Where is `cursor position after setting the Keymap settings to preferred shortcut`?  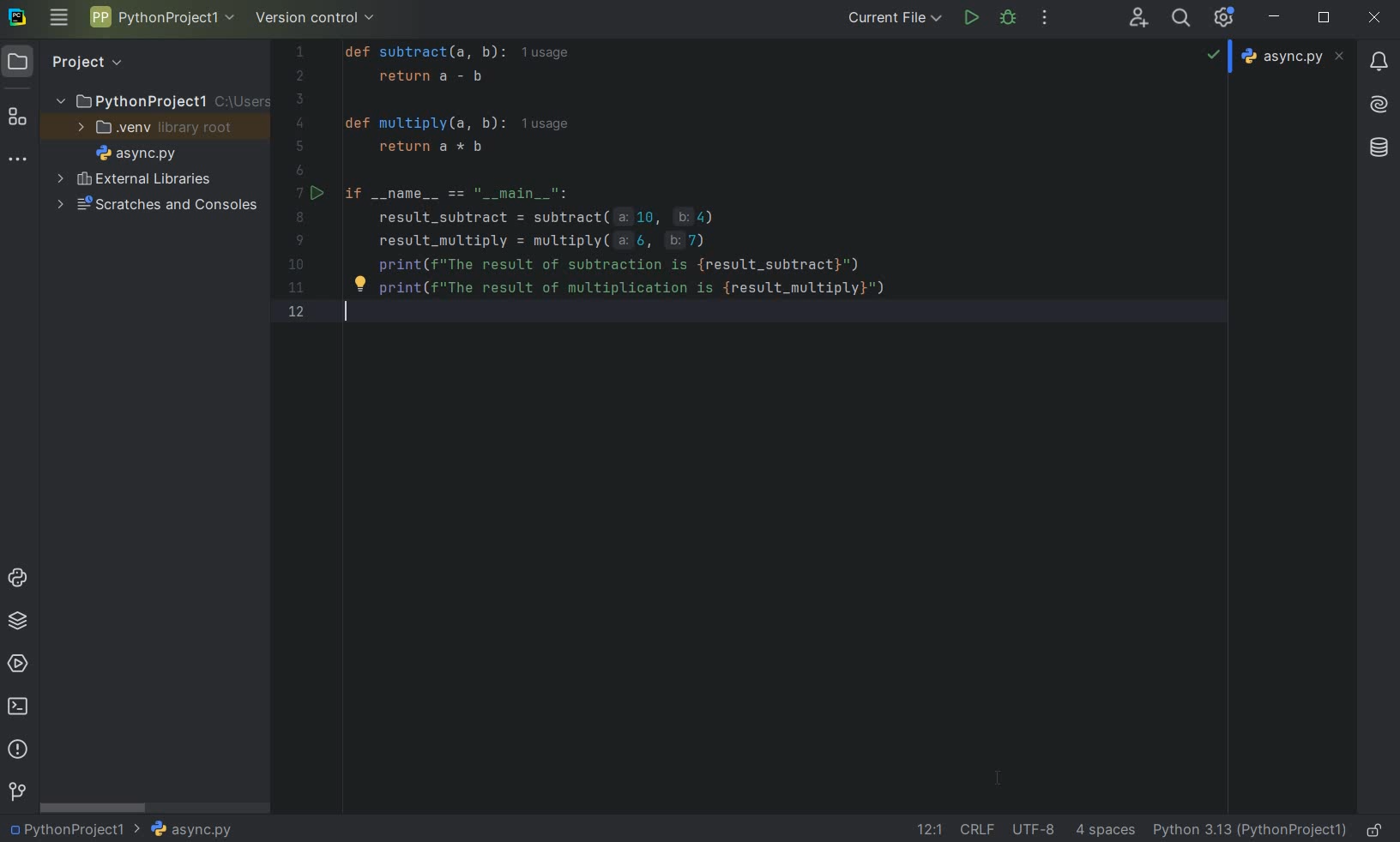
cursor position after setting the Keymap settings to preferred shortcut is located at coordinates (1000, 780).